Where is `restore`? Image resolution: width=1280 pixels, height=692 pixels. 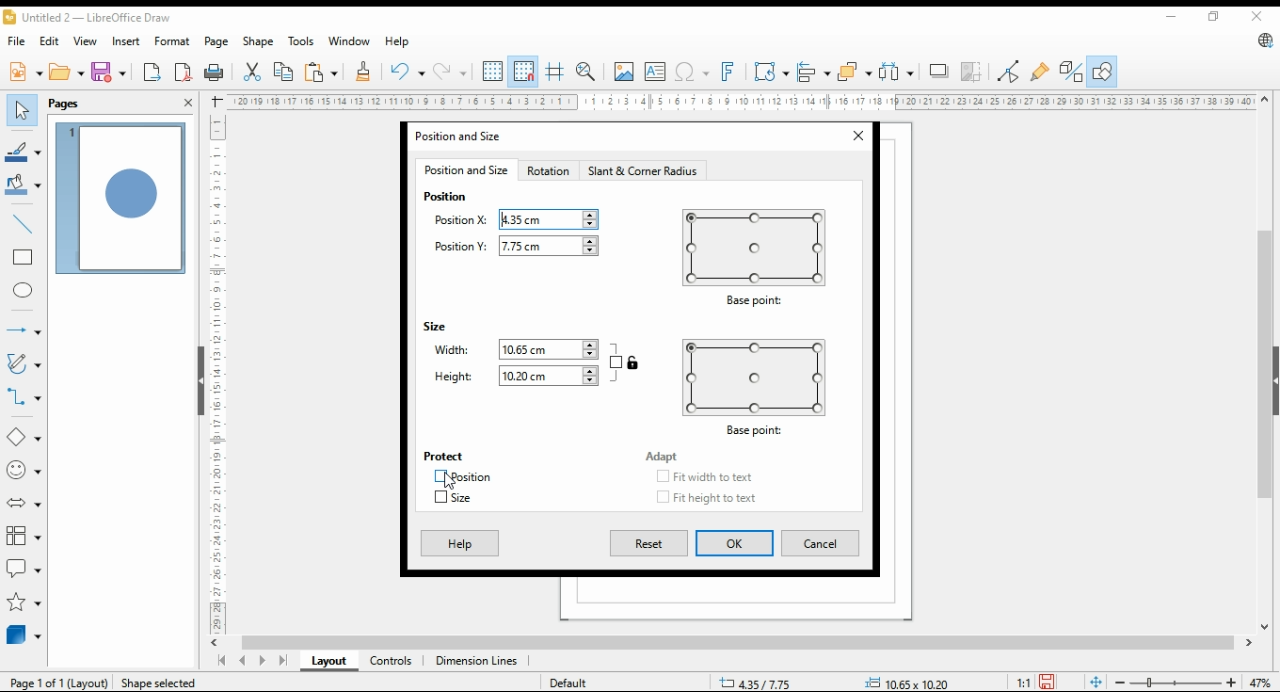 restore is located at coordinates (1218, 17).